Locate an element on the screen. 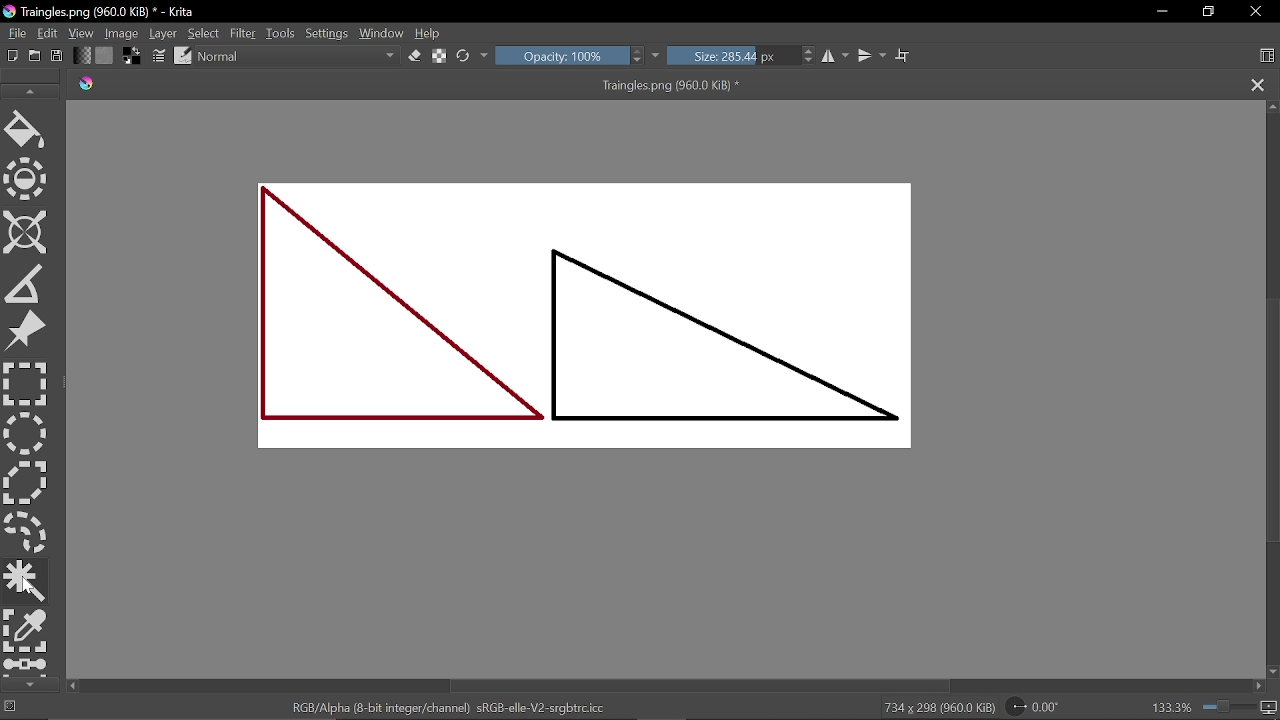  Layer is located at coordinates (164, 33).